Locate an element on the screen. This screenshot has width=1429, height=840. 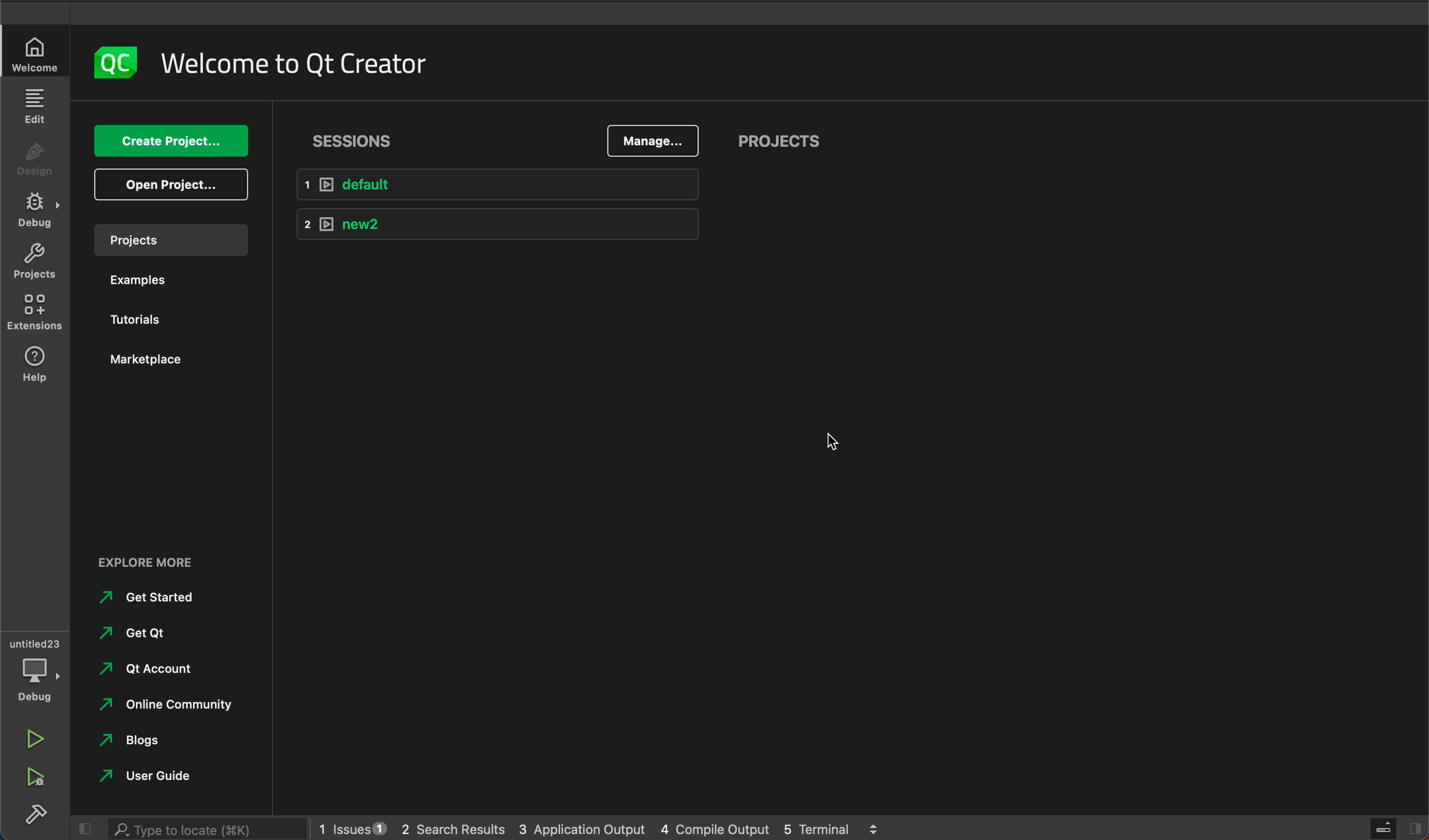
open is located at coordinates (172, 184).